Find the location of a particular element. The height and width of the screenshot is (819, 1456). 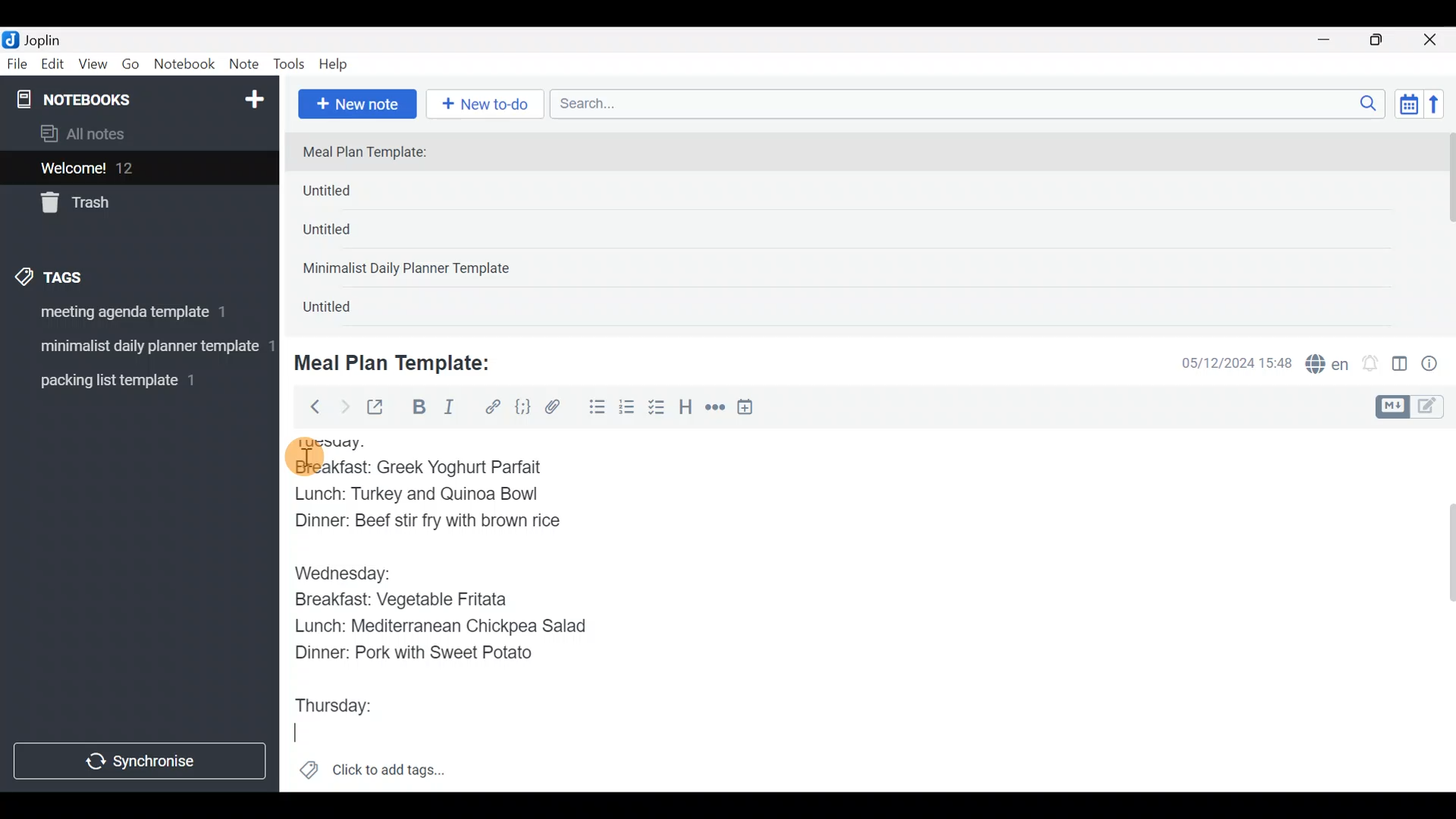

Welcome! is located at coordinates (137, 169).